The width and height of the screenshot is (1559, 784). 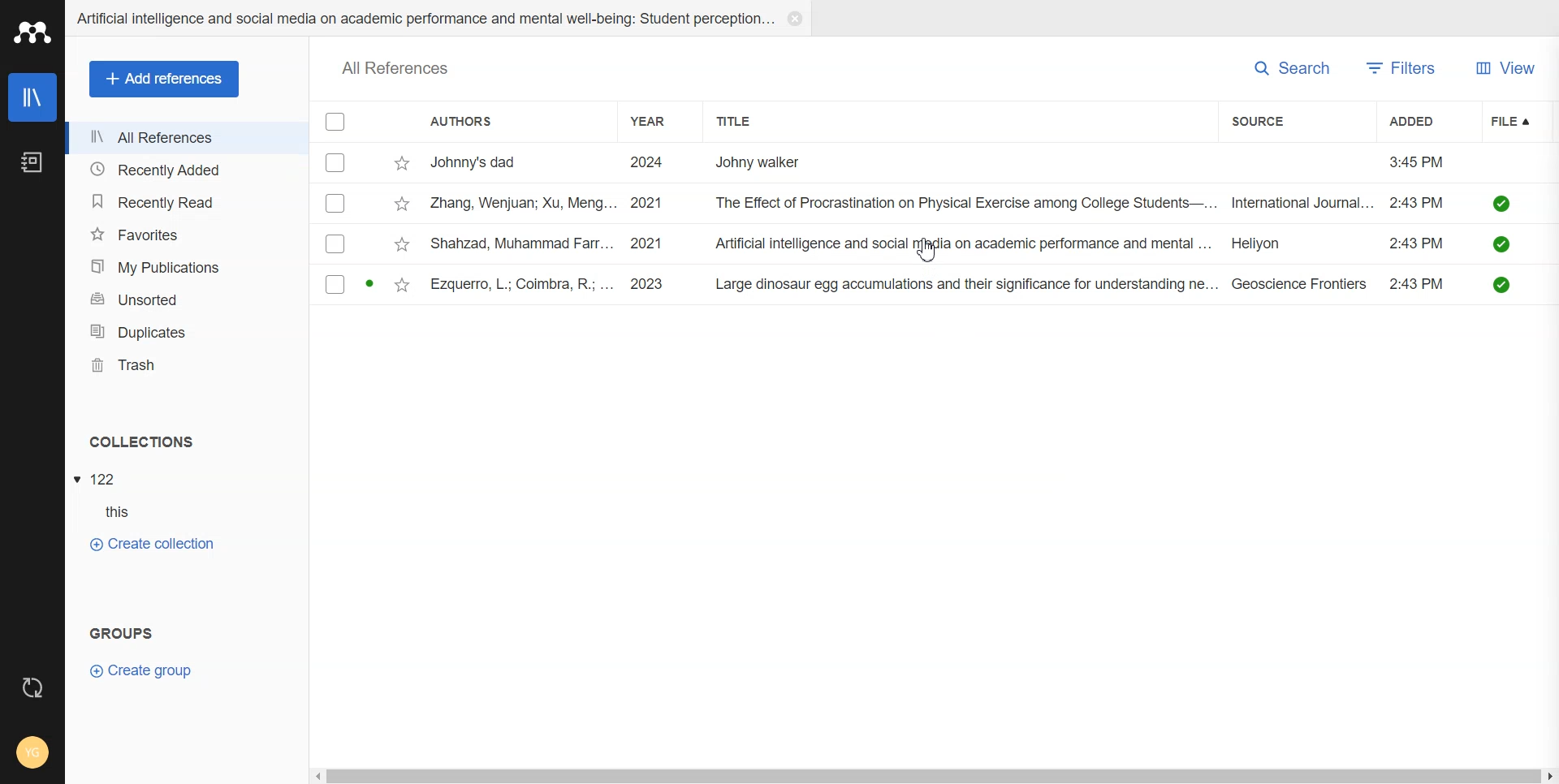 I want to click on Source, so click(x=1259, y=120).